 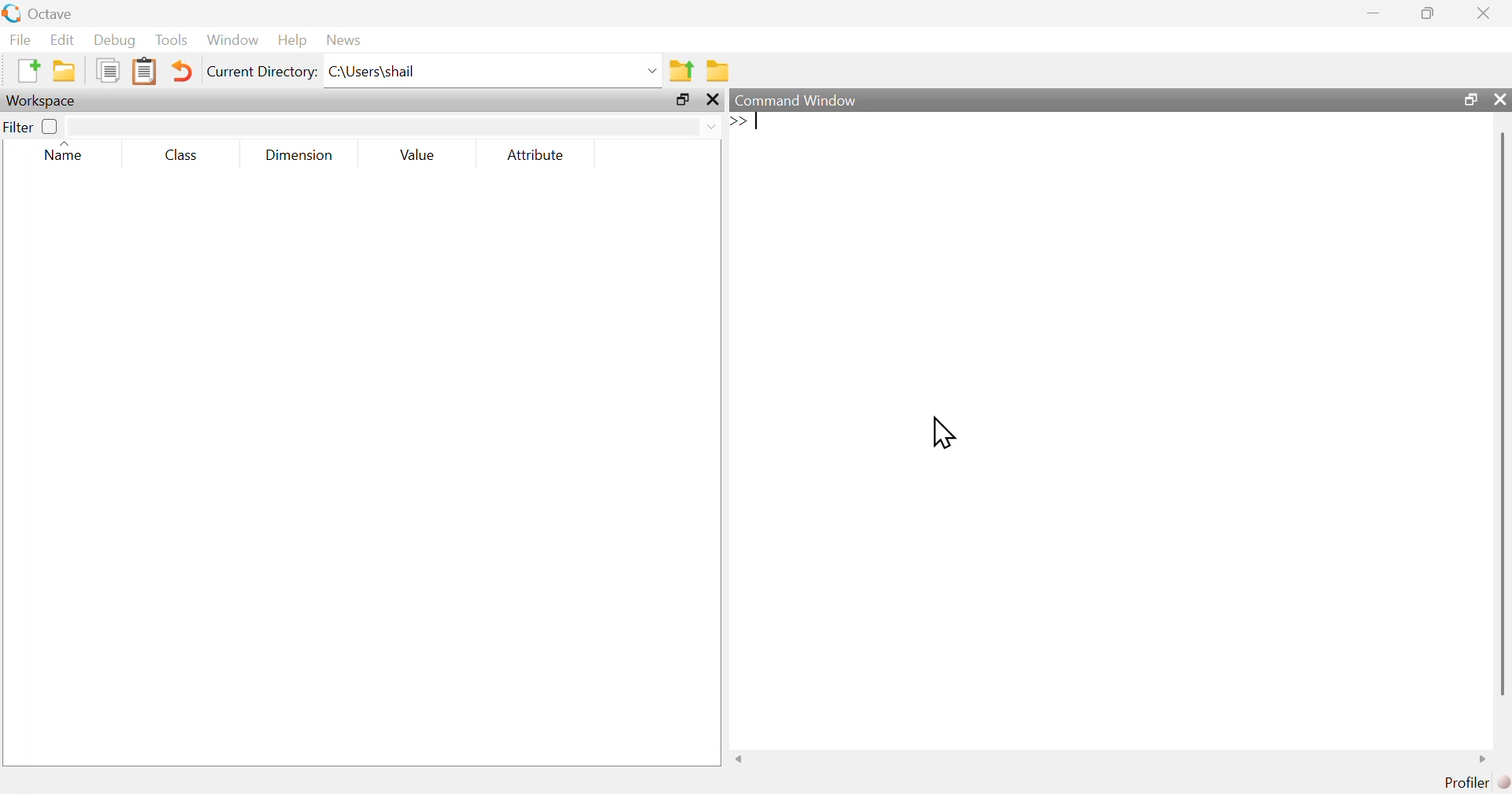 What do you see at coordinates (710, 127) in the screenshot?
I see `dropdown` at bounding box center [710, 127].